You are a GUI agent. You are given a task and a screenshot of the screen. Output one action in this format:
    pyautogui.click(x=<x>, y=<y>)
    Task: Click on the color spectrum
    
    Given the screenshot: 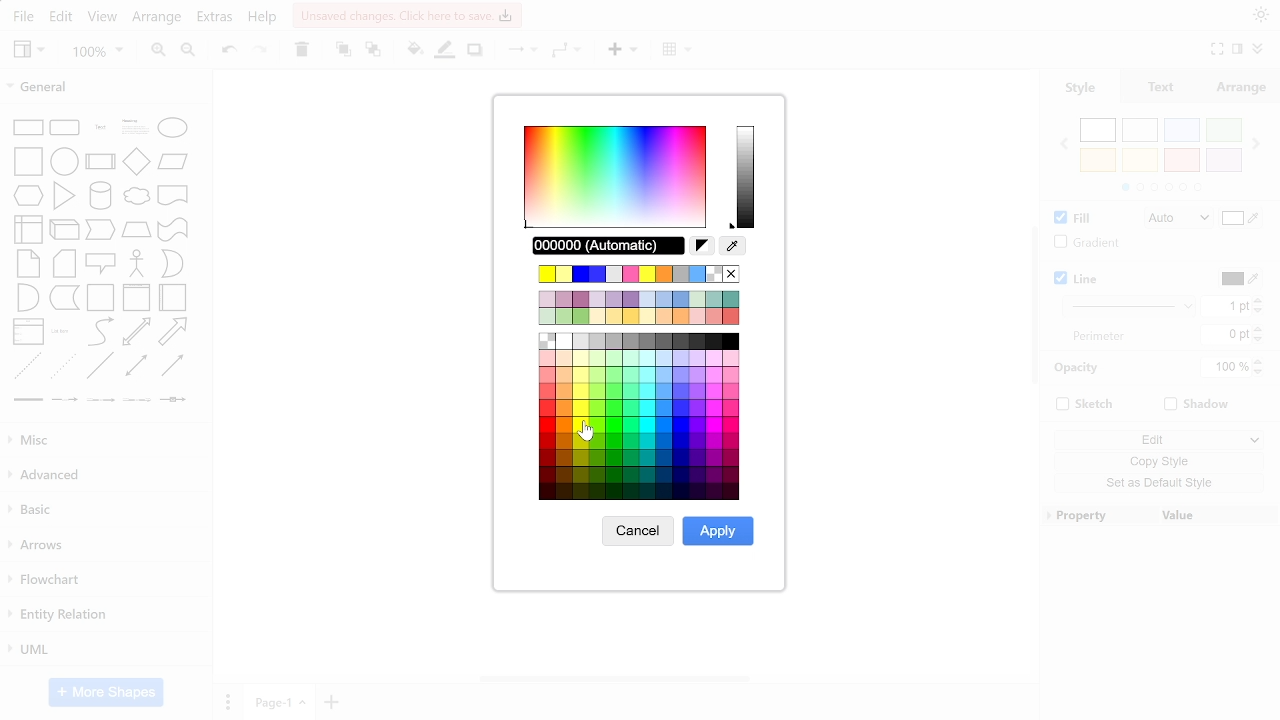 What is the action you would take?
    pyautogui.click(x=615, y=177)
    